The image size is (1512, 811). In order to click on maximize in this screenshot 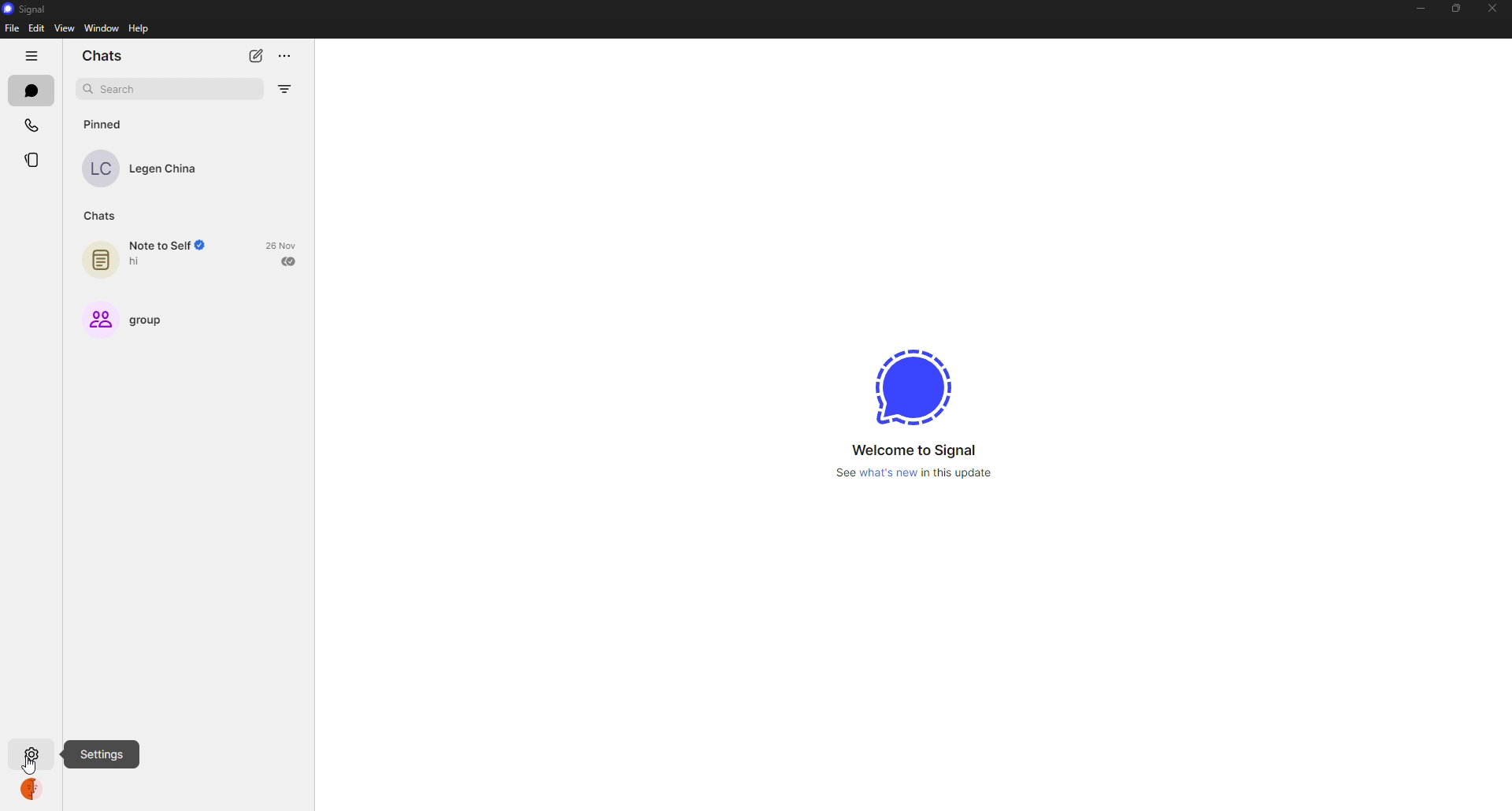, I will do `click(1456, 8)`.